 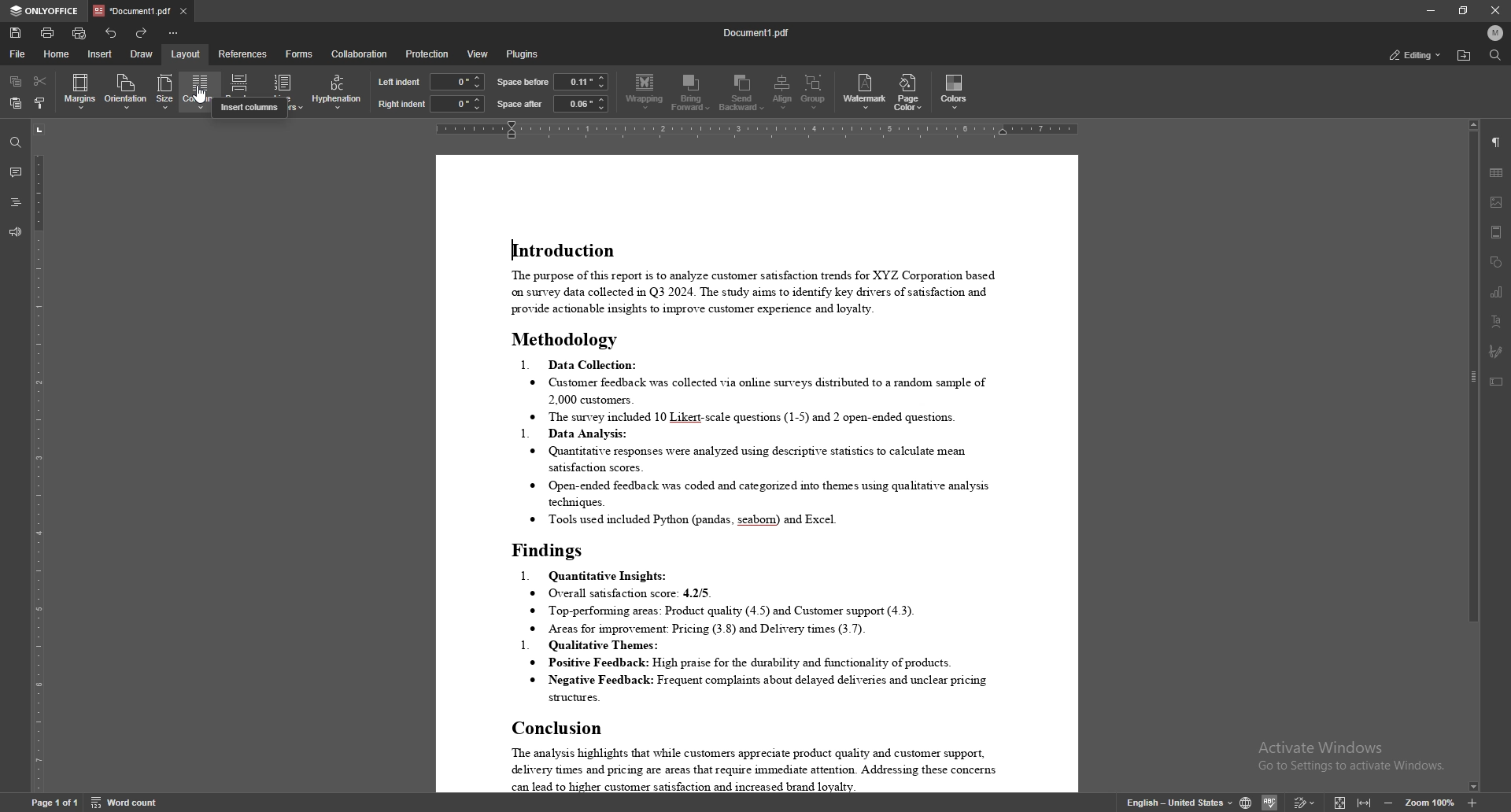 What do you see at coordinates (16, 81) in the screenshot?
I see `copy` at bounding box center [16, 81].